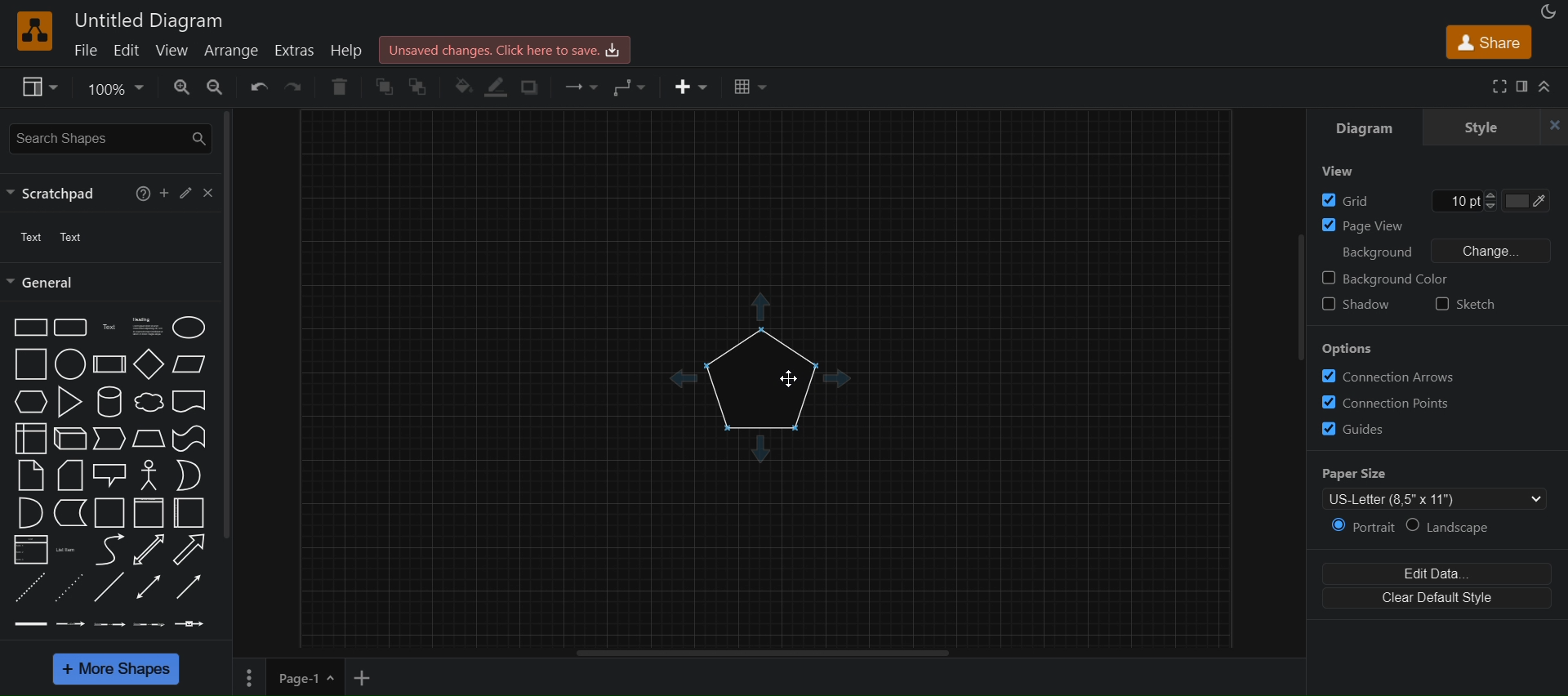 This screenshot has height=696, width=1568. I want to click on Callout, so click(109, 476).